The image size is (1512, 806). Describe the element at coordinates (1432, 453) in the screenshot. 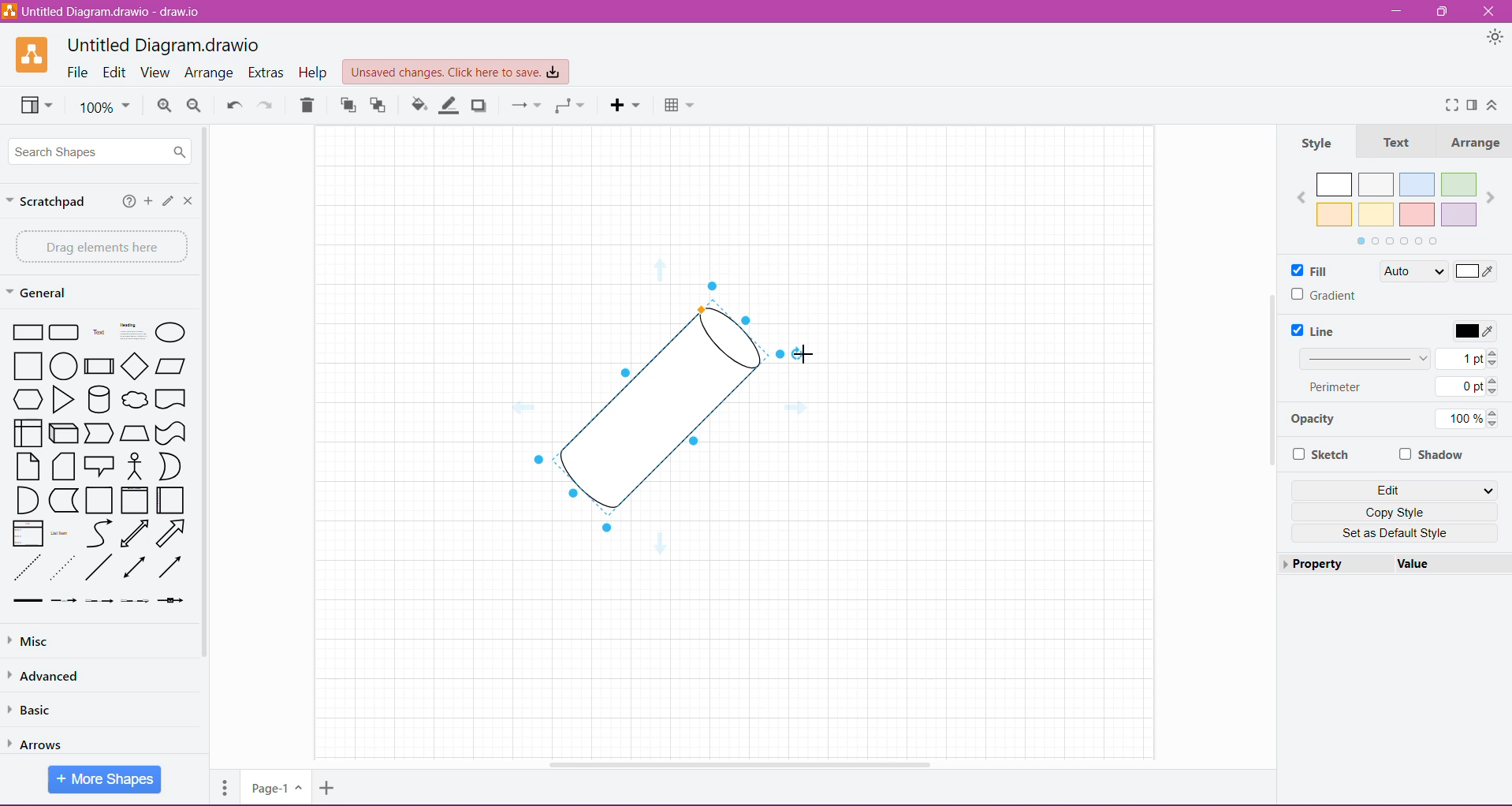

I see `Shadow - Click to enable/disable` at that location.